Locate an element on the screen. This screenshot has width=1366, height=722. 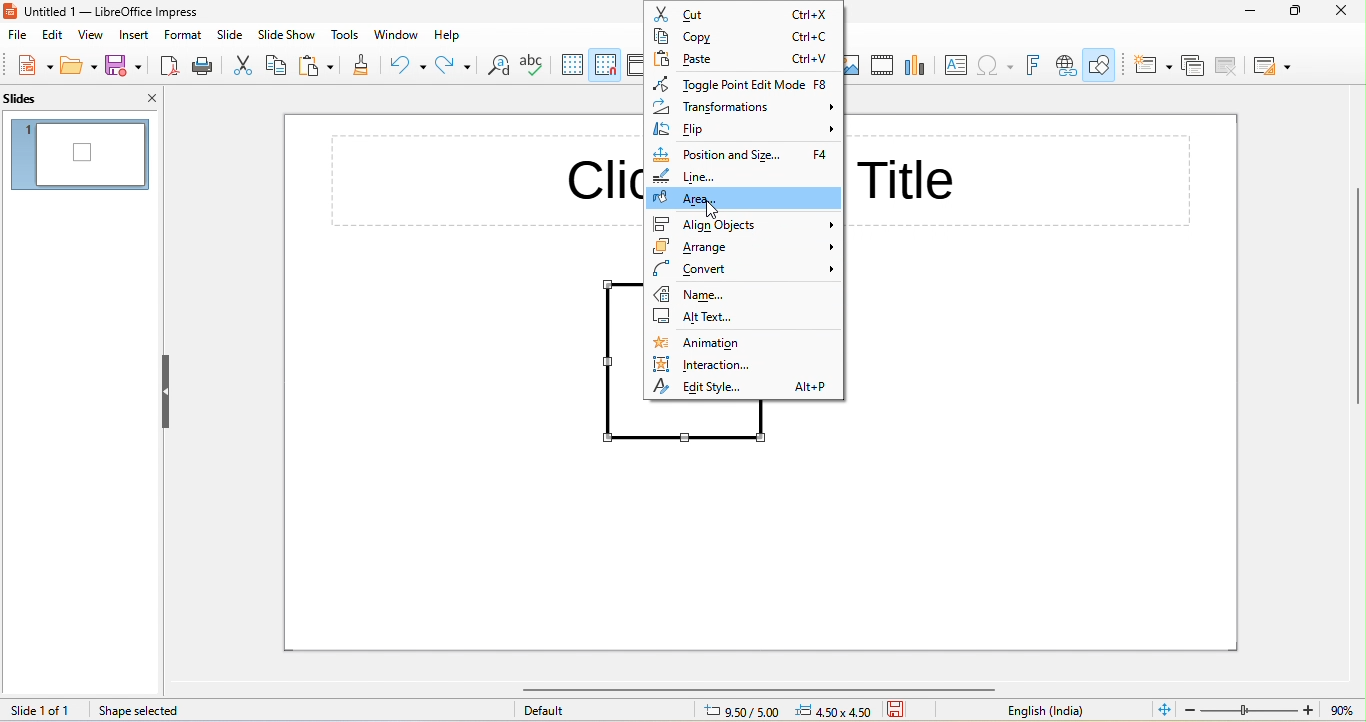
interaction is located at coordinates (727, 366).